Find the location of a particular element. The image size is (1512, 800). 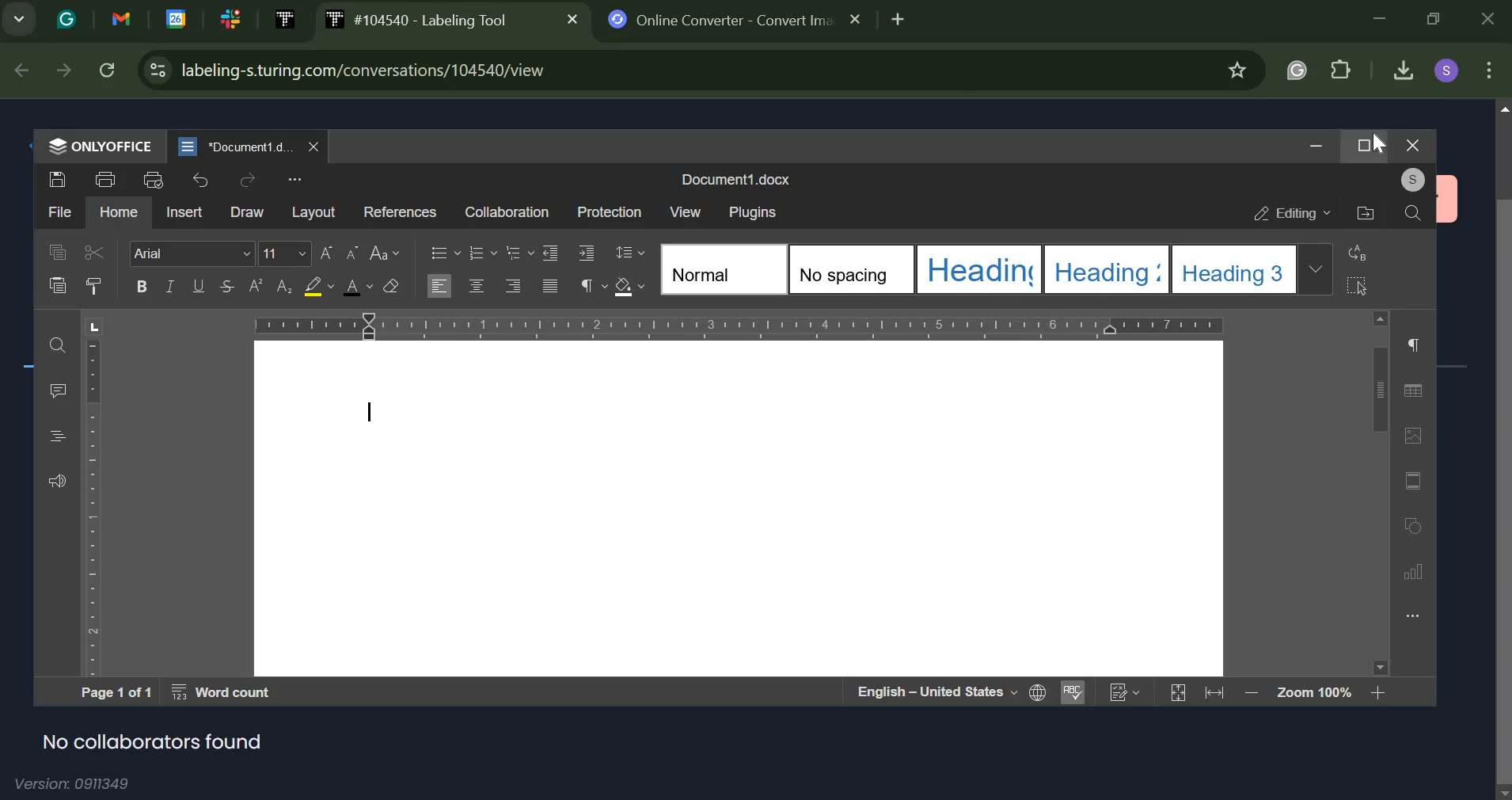

align left is located at coordinates (439, 285).